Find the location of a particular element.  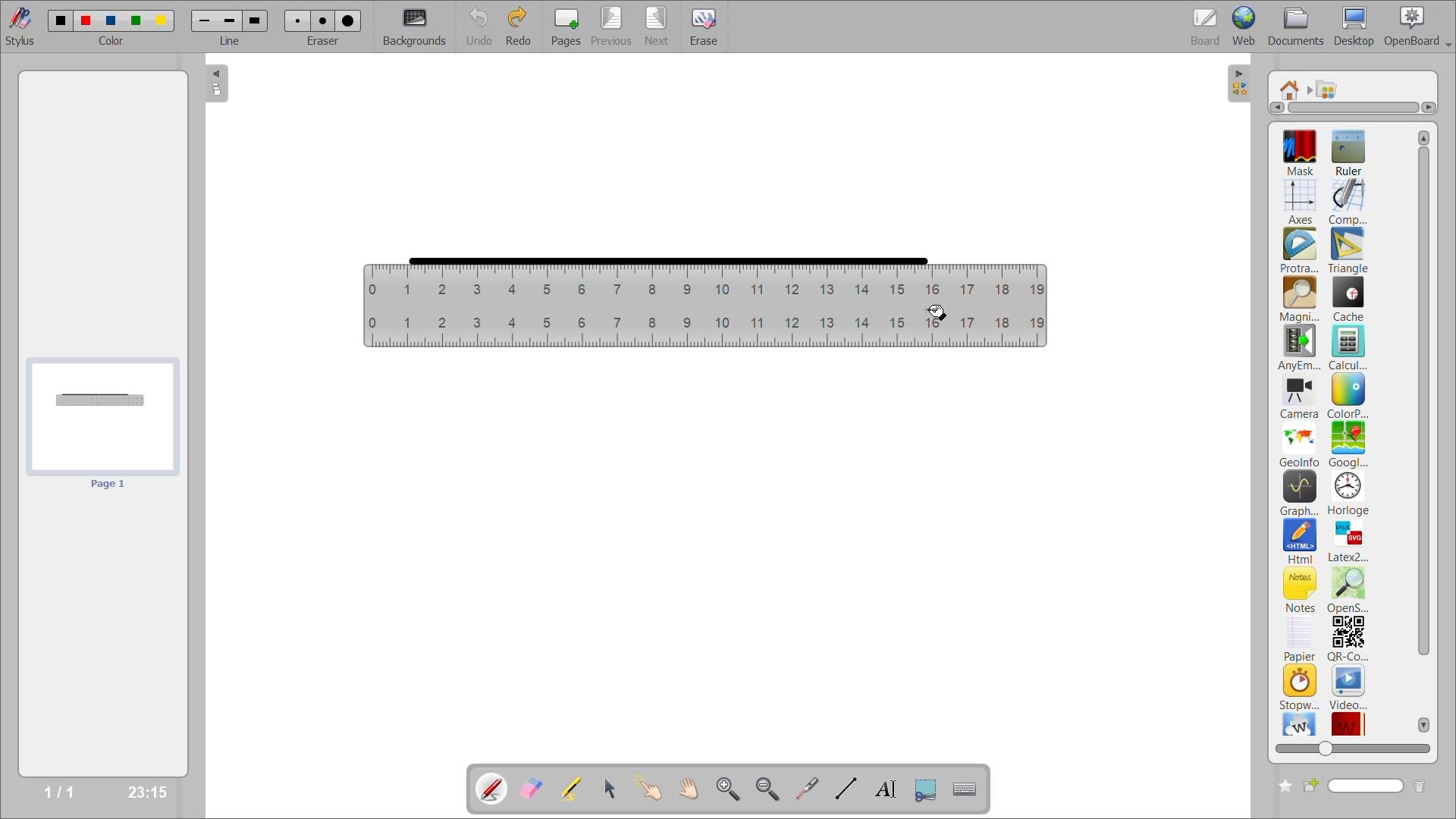

compass is located at coordinates (1348, 202).